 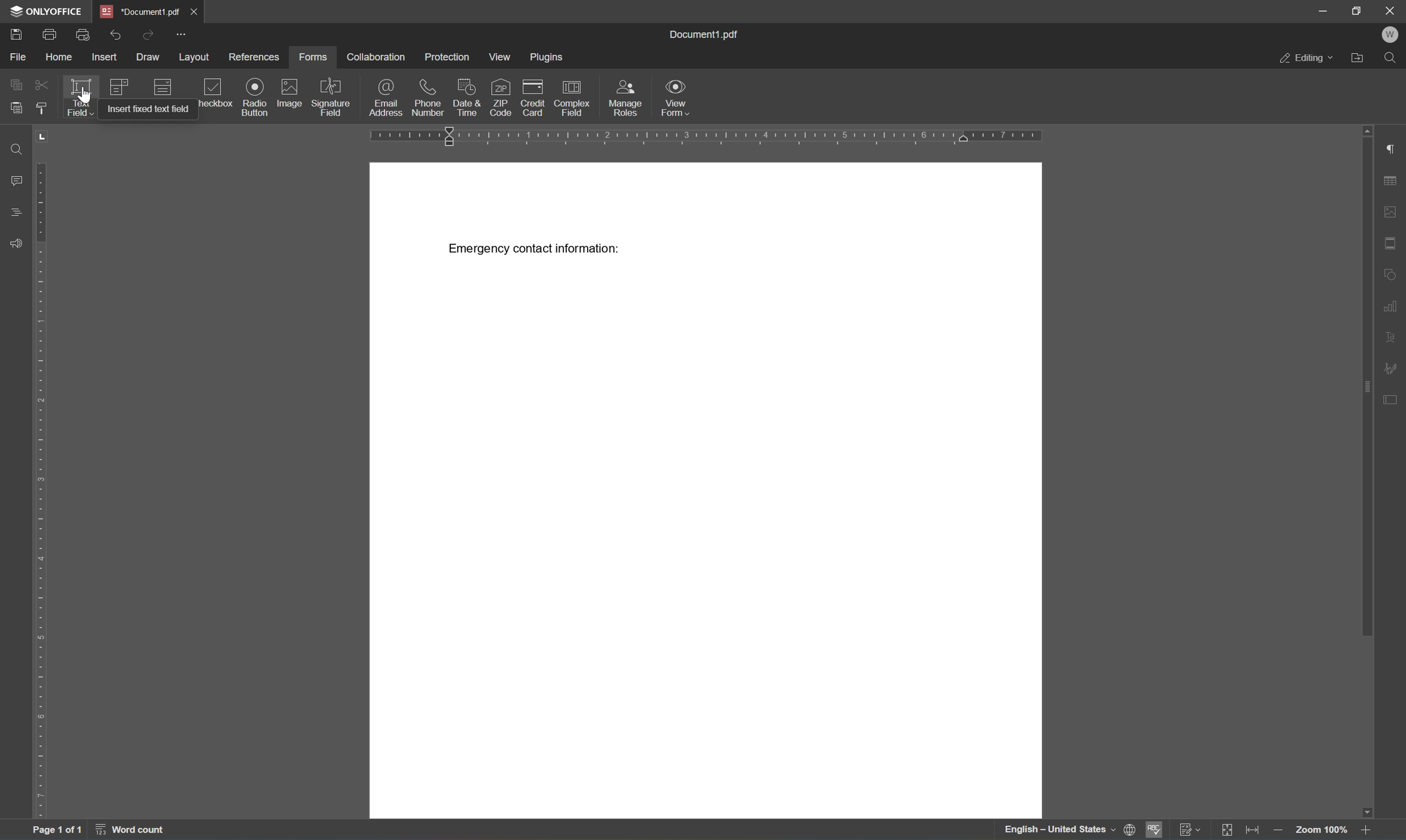 What do you see at coordinates (193, 10) in the screenshot?
I see `close` at bounding box center [193, 10].